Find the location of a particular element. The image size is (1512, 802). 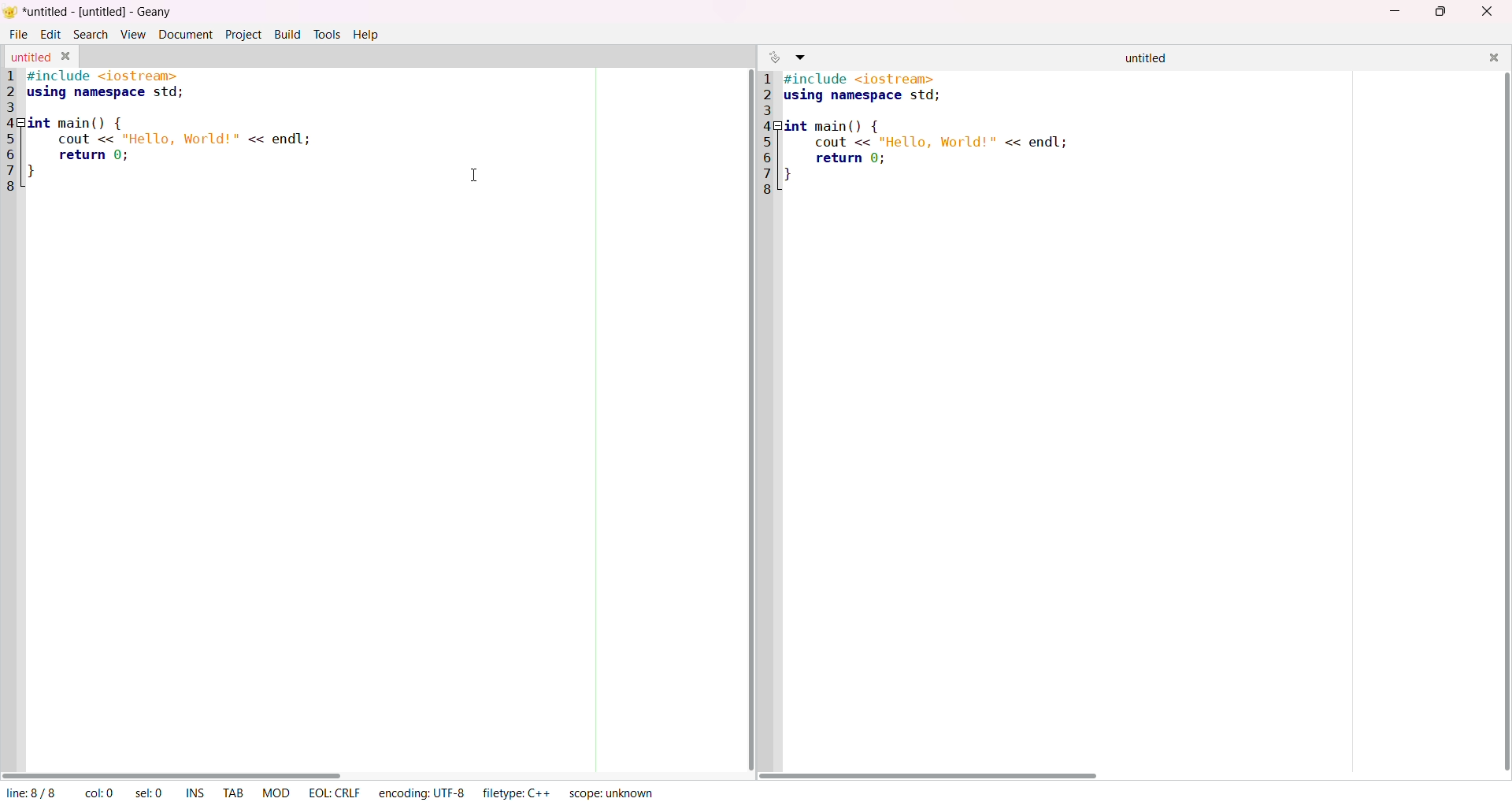

maximize is located at coordinates (1443, 13).